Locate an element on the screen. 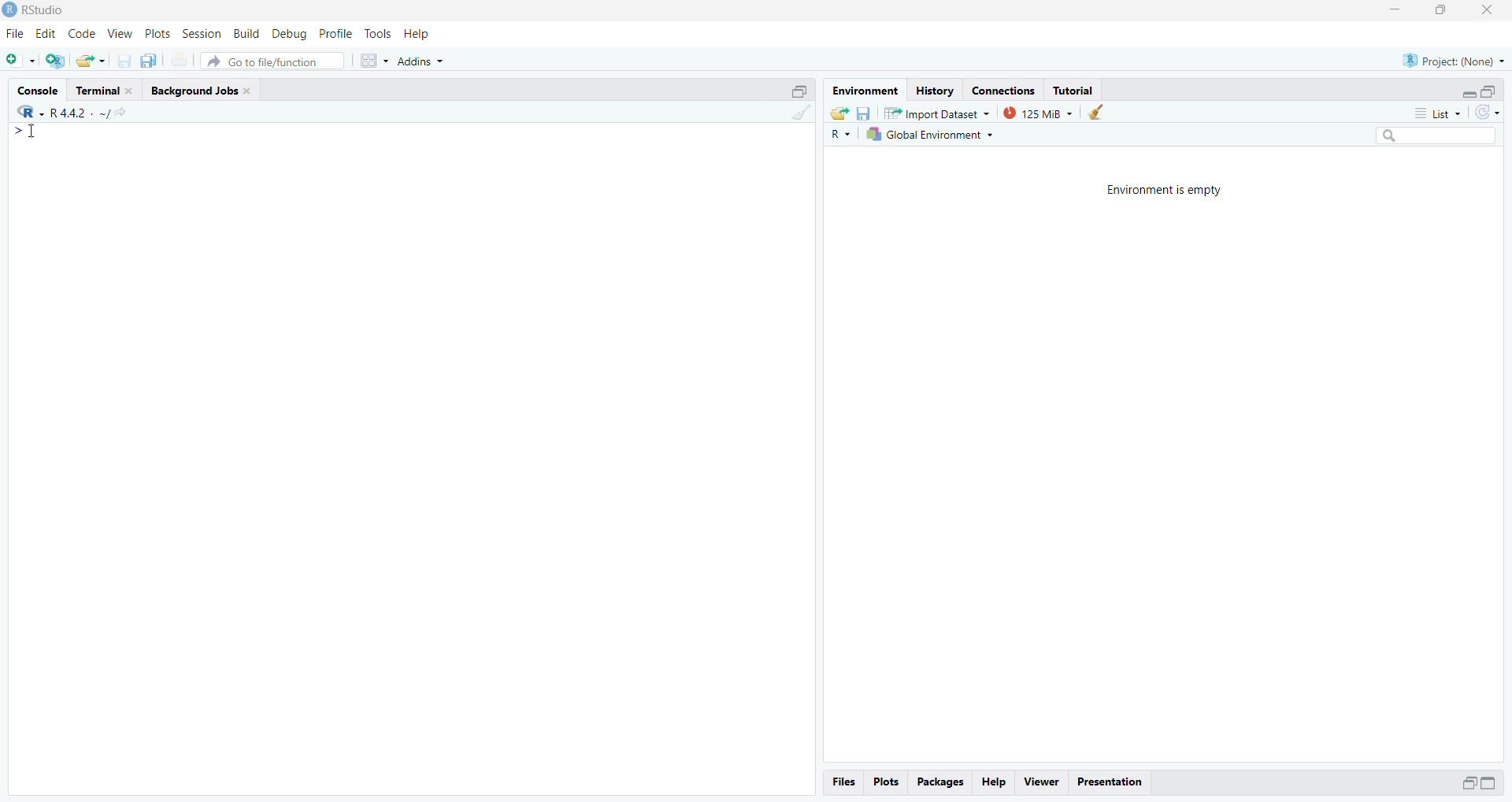  create a project is located at coordinates (57, 61).